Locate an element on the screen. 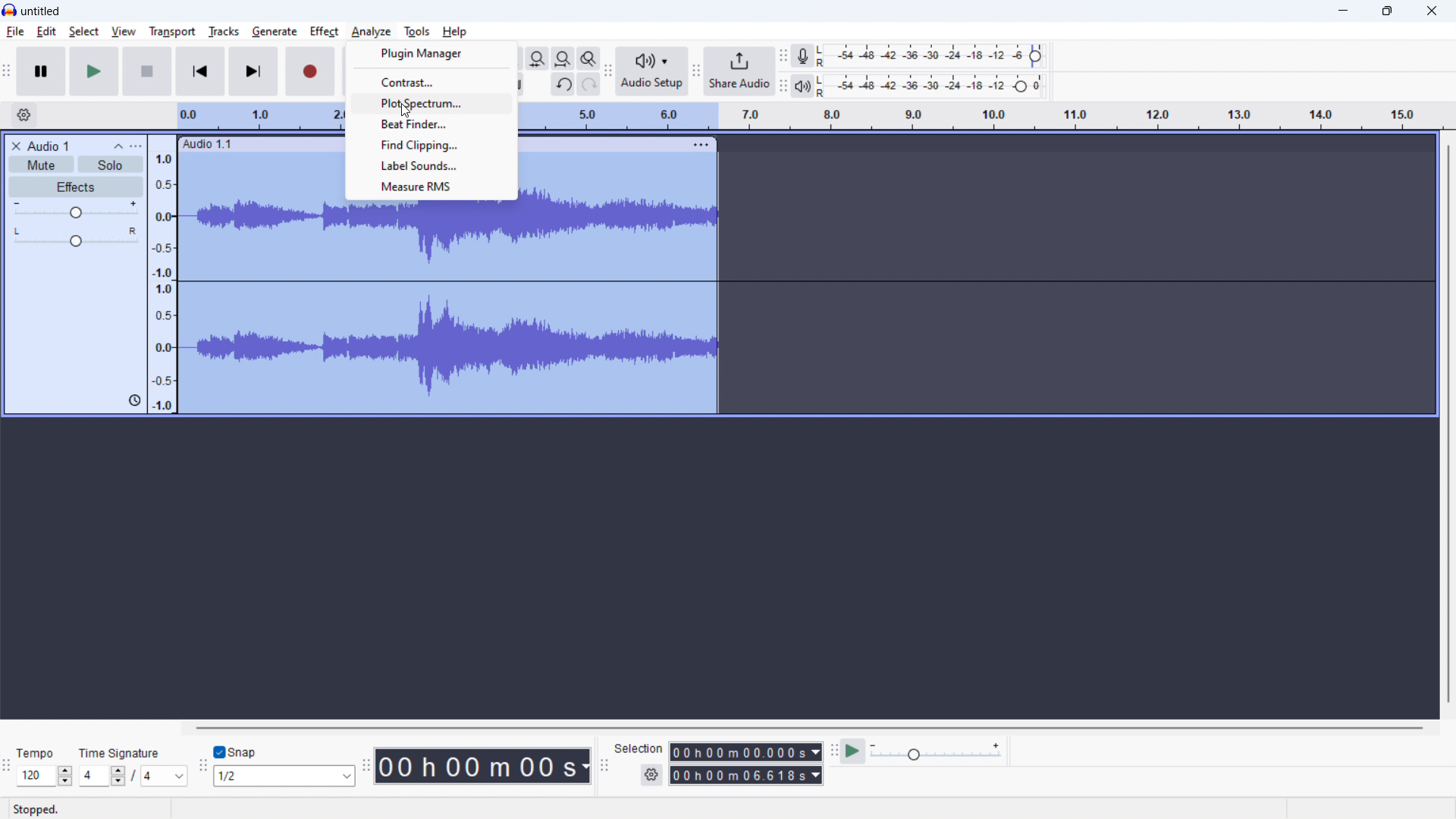 The image size is (1456, 819). analyze is located at coordinates (371, 31).